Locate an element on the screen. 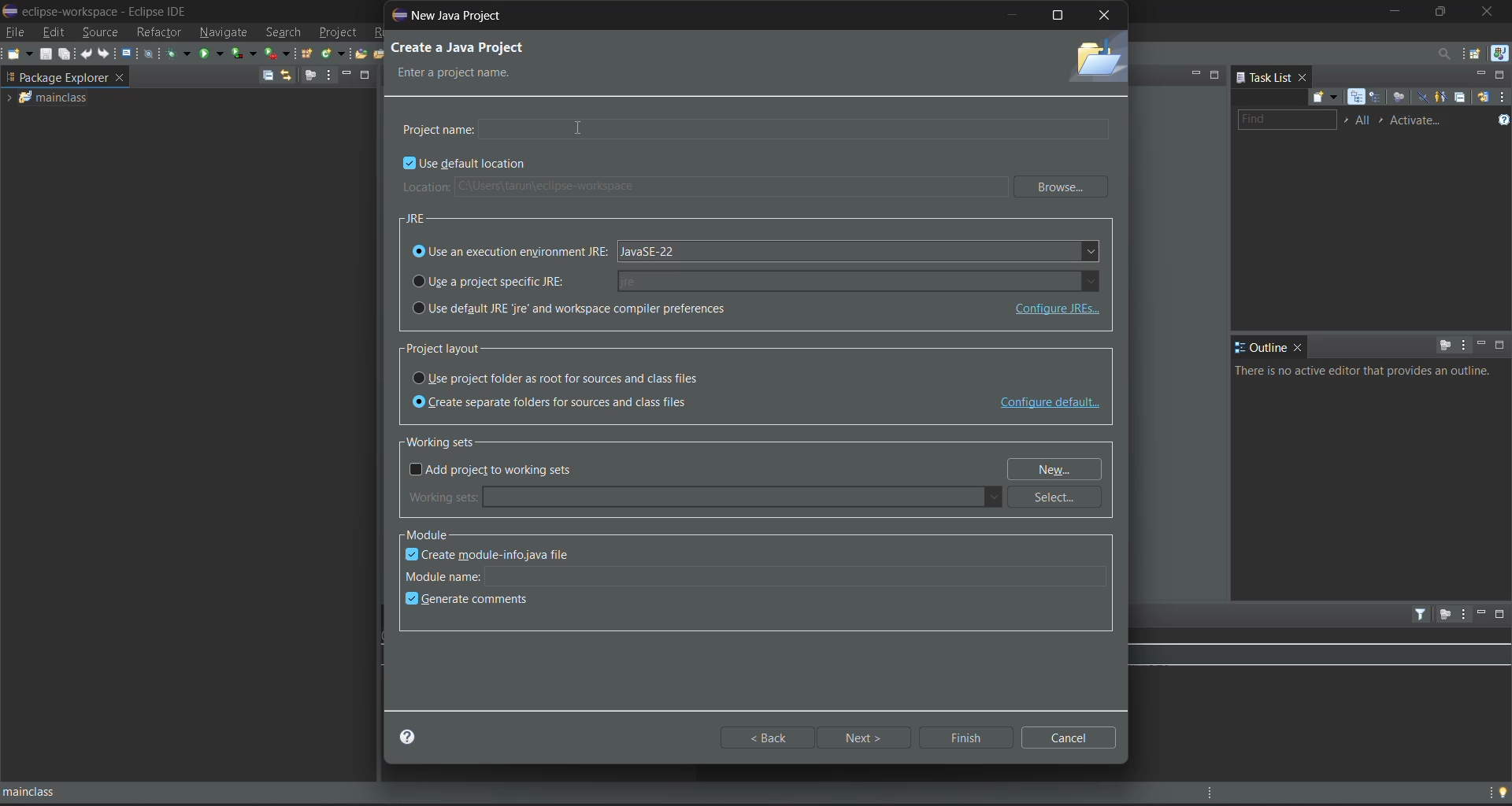  add project to working sets is located at coordinates (496, 471).